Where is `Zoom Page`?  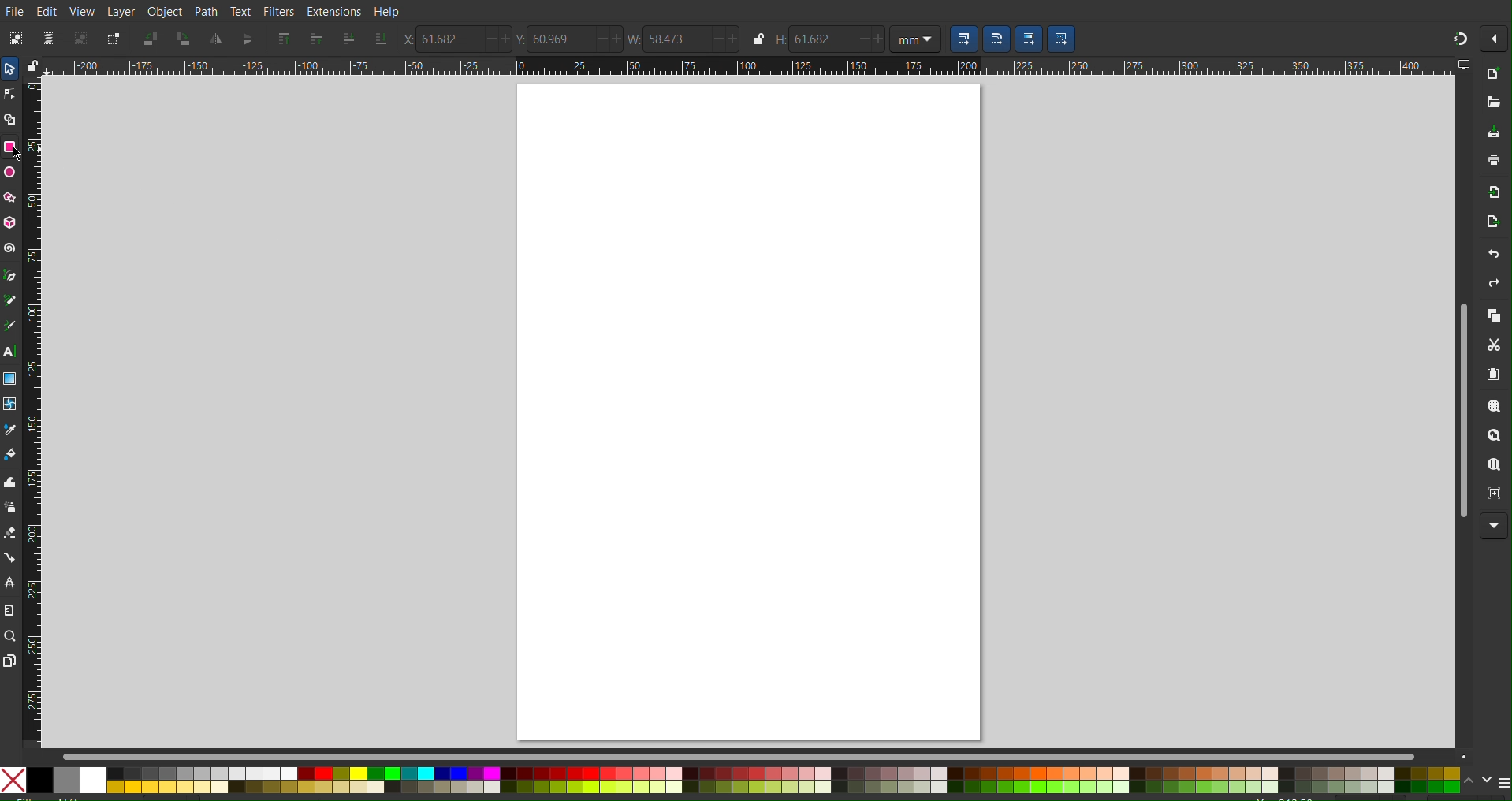 Zoom Page is located at coordinates (1495, 467).